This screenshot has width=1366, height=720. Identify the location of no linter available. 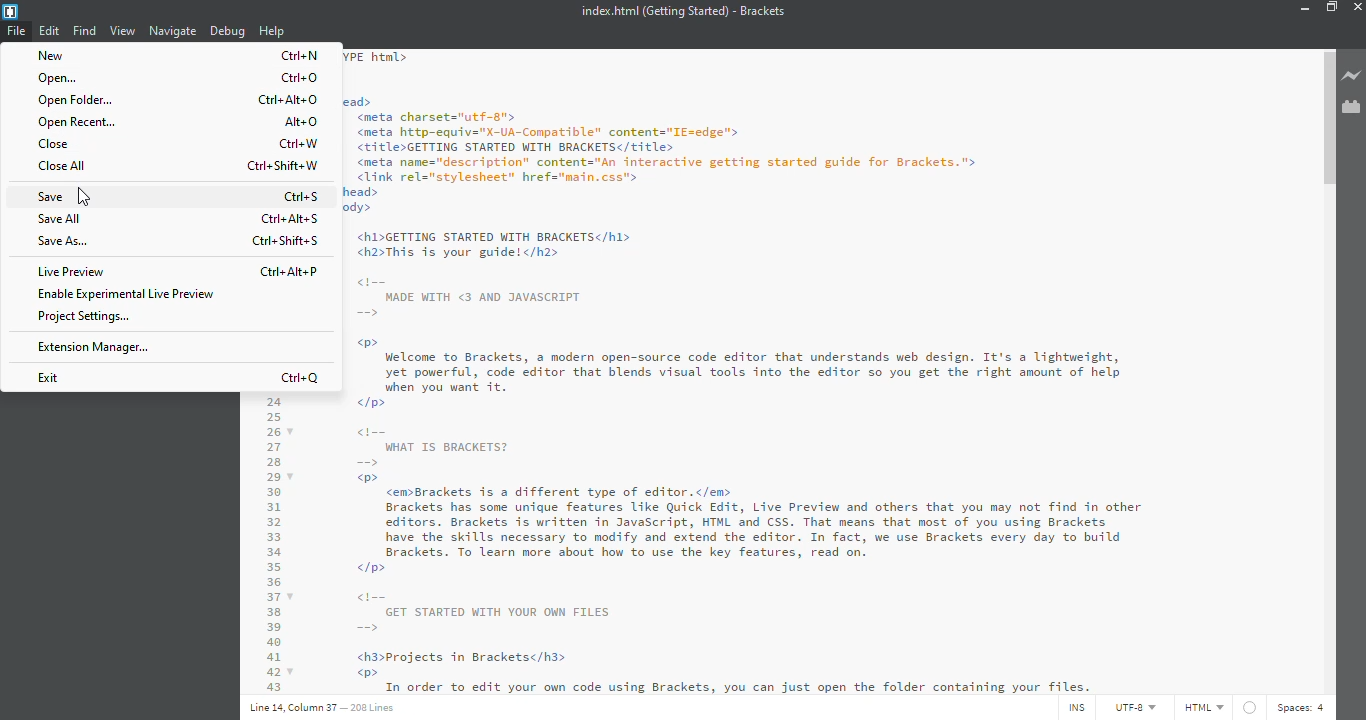
(1251, 708).